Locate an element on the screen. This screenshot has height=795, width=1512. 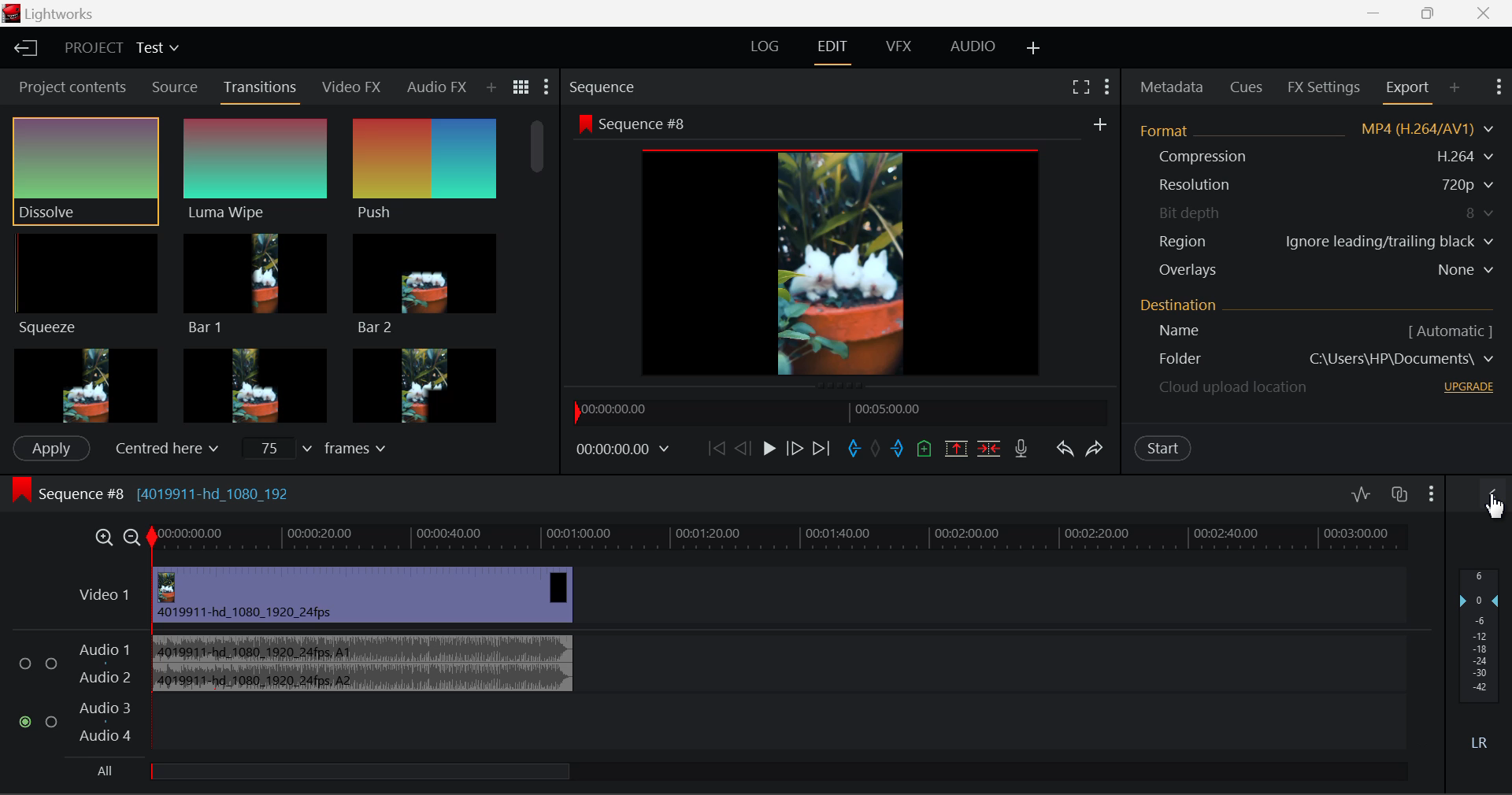
Go Forward is located at coordinates (795, 449).